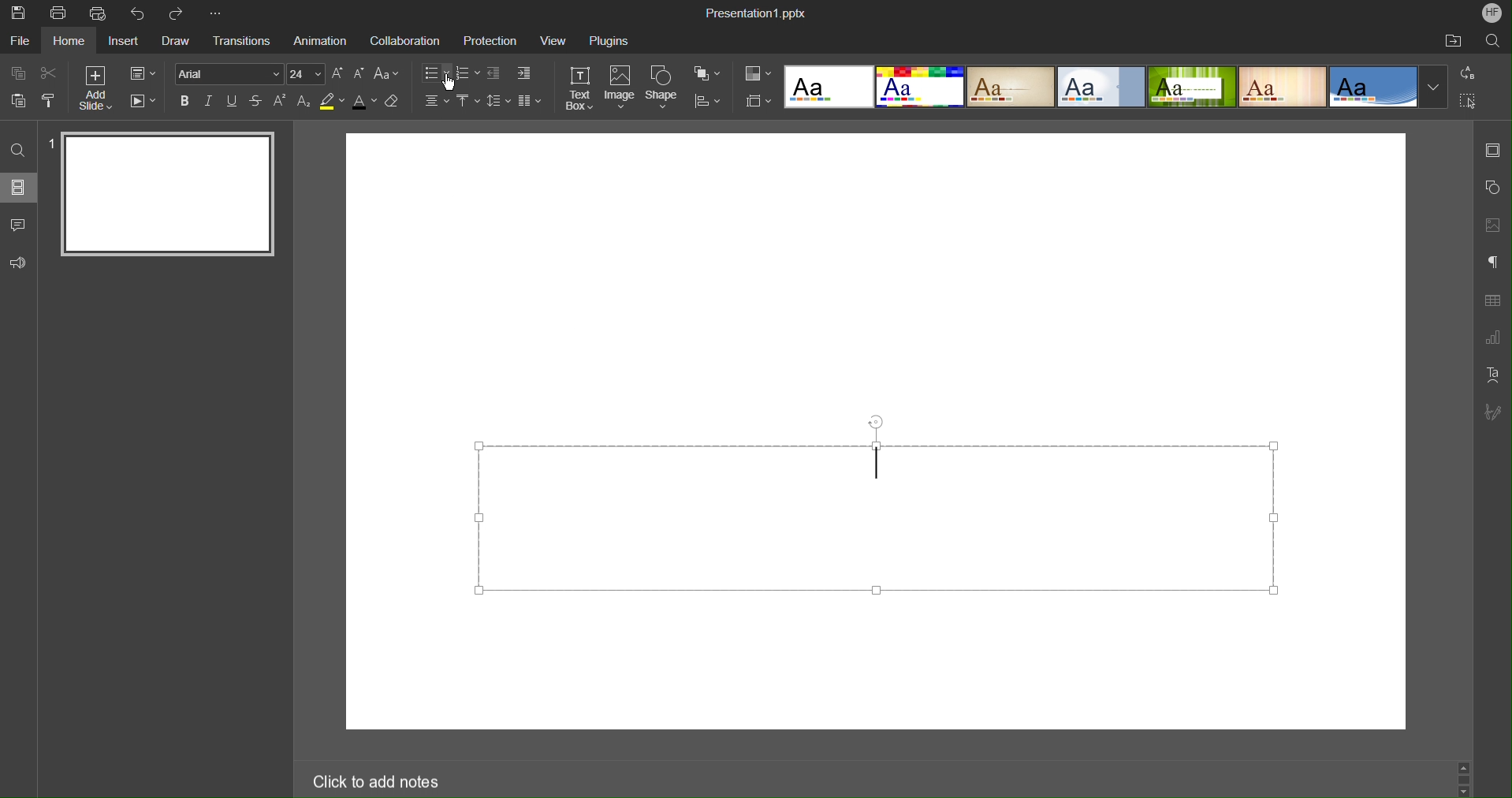 This screenshot has width=1512, height=798. I want to click on Line Spacing, so click(499, 102).